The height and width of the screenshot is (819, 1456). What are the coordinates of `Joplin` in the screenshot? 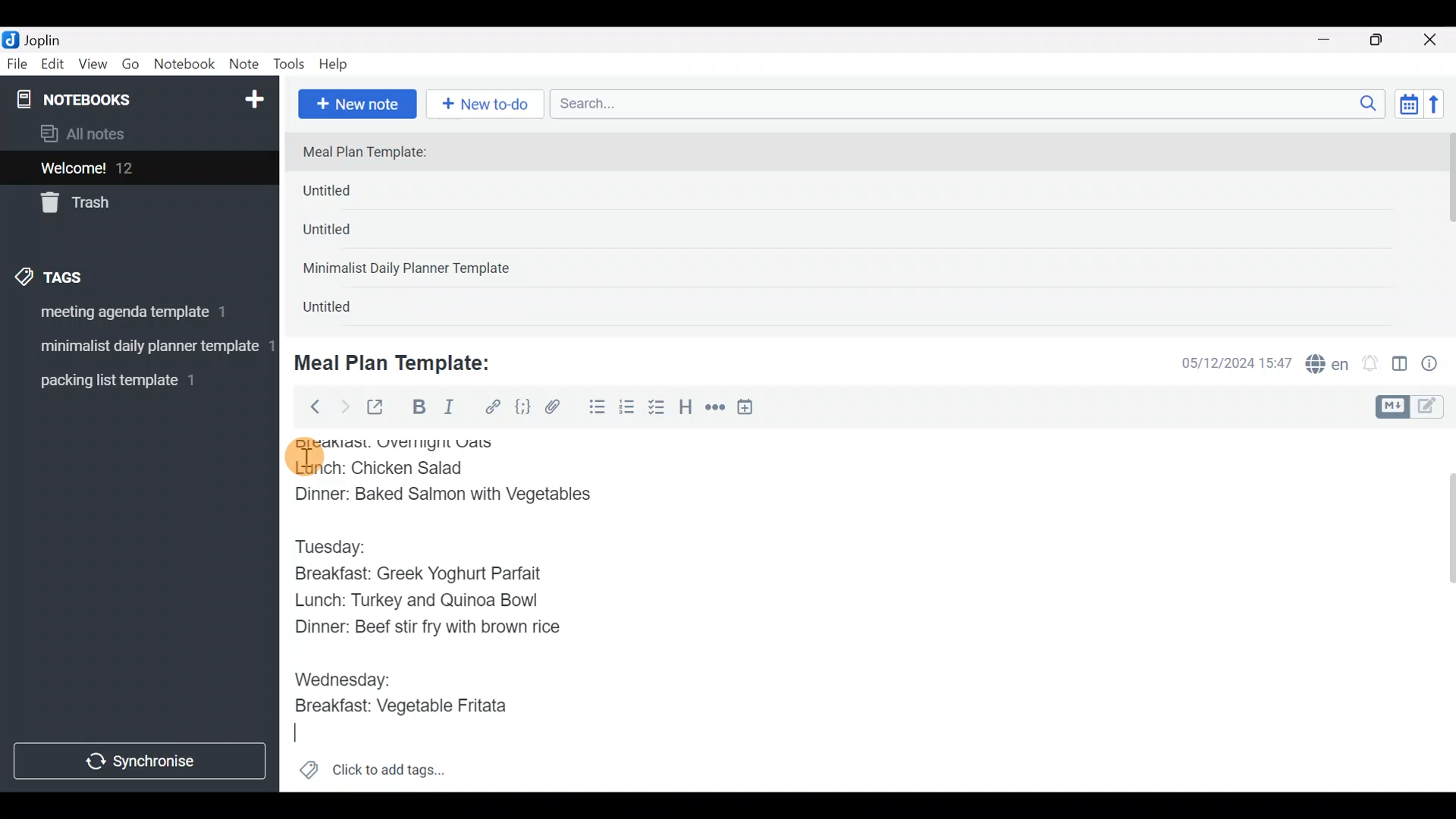 It's located at (52, 38).